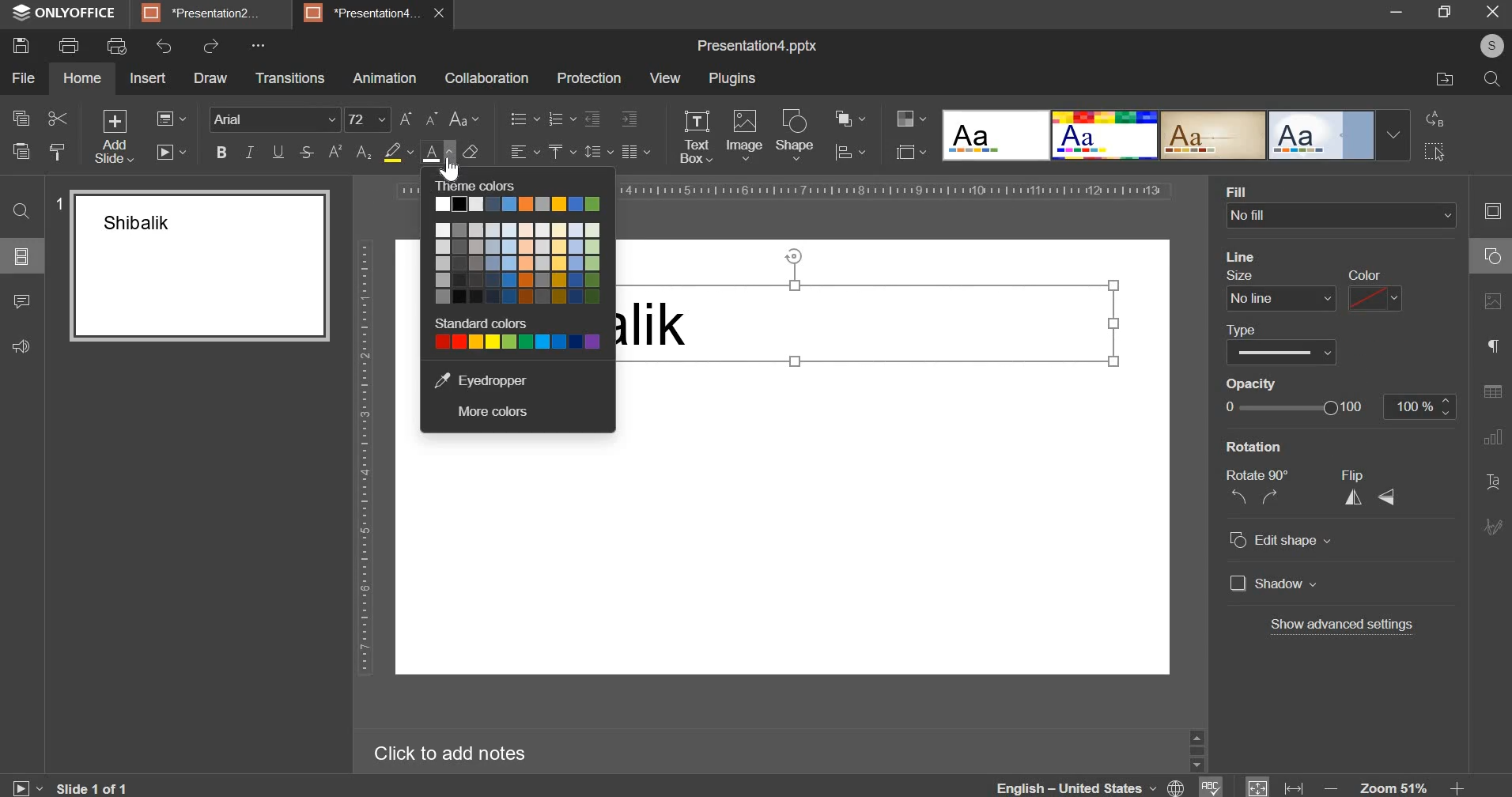 Image resolution: width=1512 pixels, height=797 pixels. Describe the element at coordinates (897, 190) in the screenshot. I see `horizontal scale` at that location.